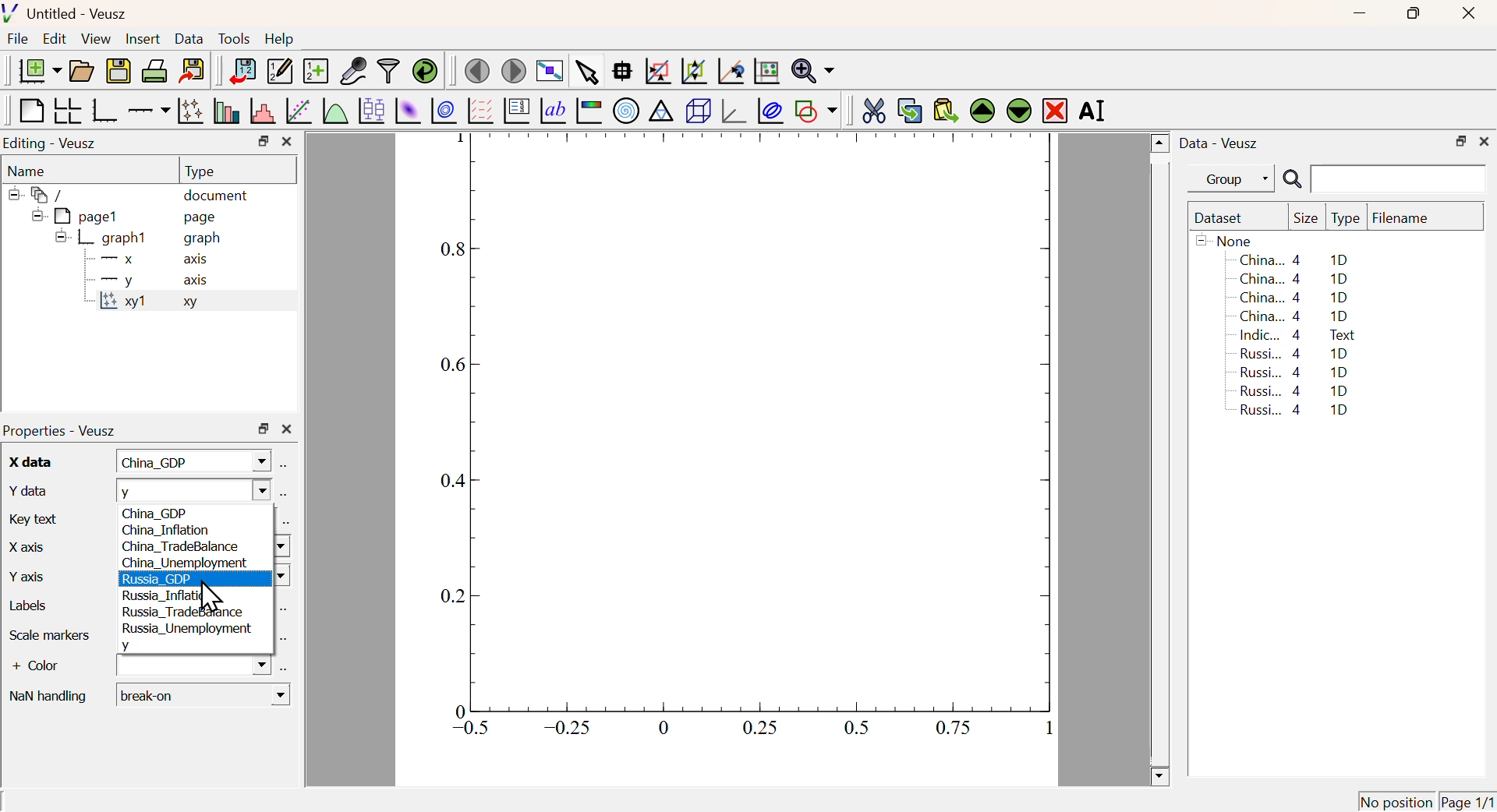 The image size is (1497, 812). What do you see at coordinates (737, 441) in the screenshot?
I see `Graph` at bounding box center [737, 441].